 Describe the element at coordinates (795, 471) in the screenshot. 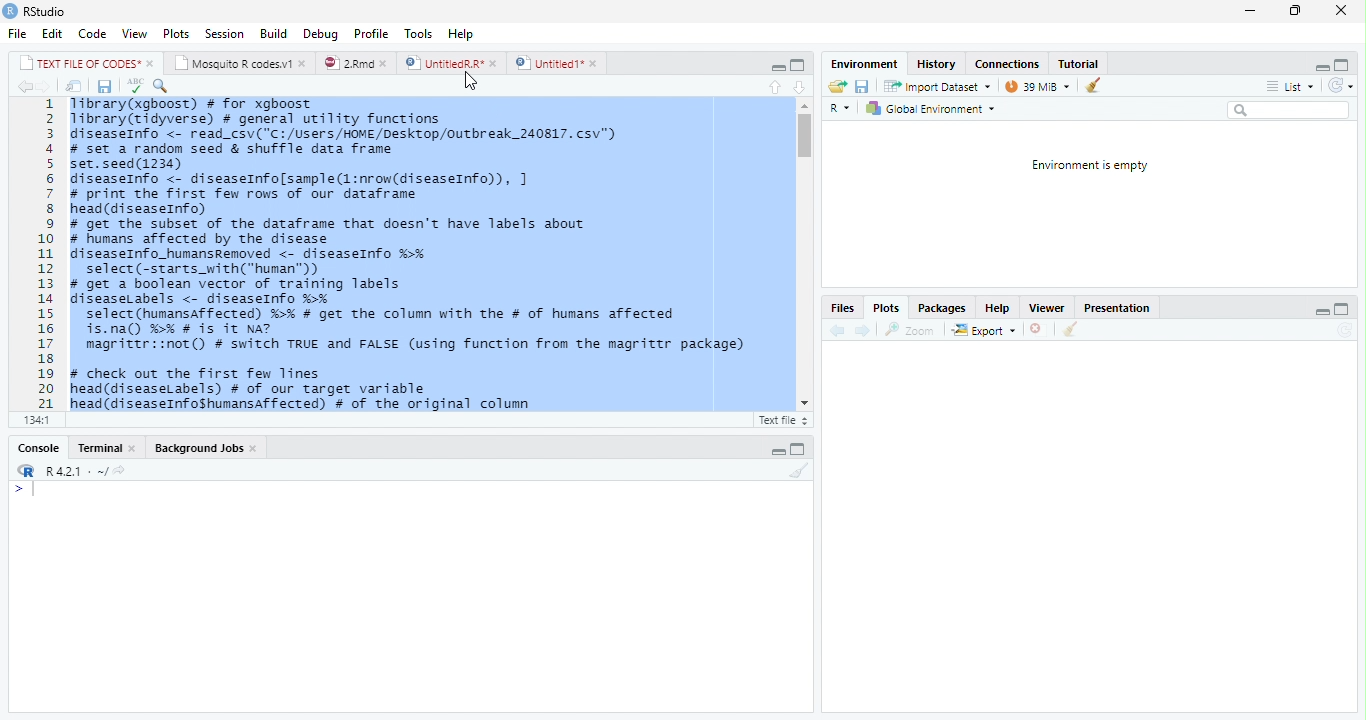

I see `Clean` at that location.